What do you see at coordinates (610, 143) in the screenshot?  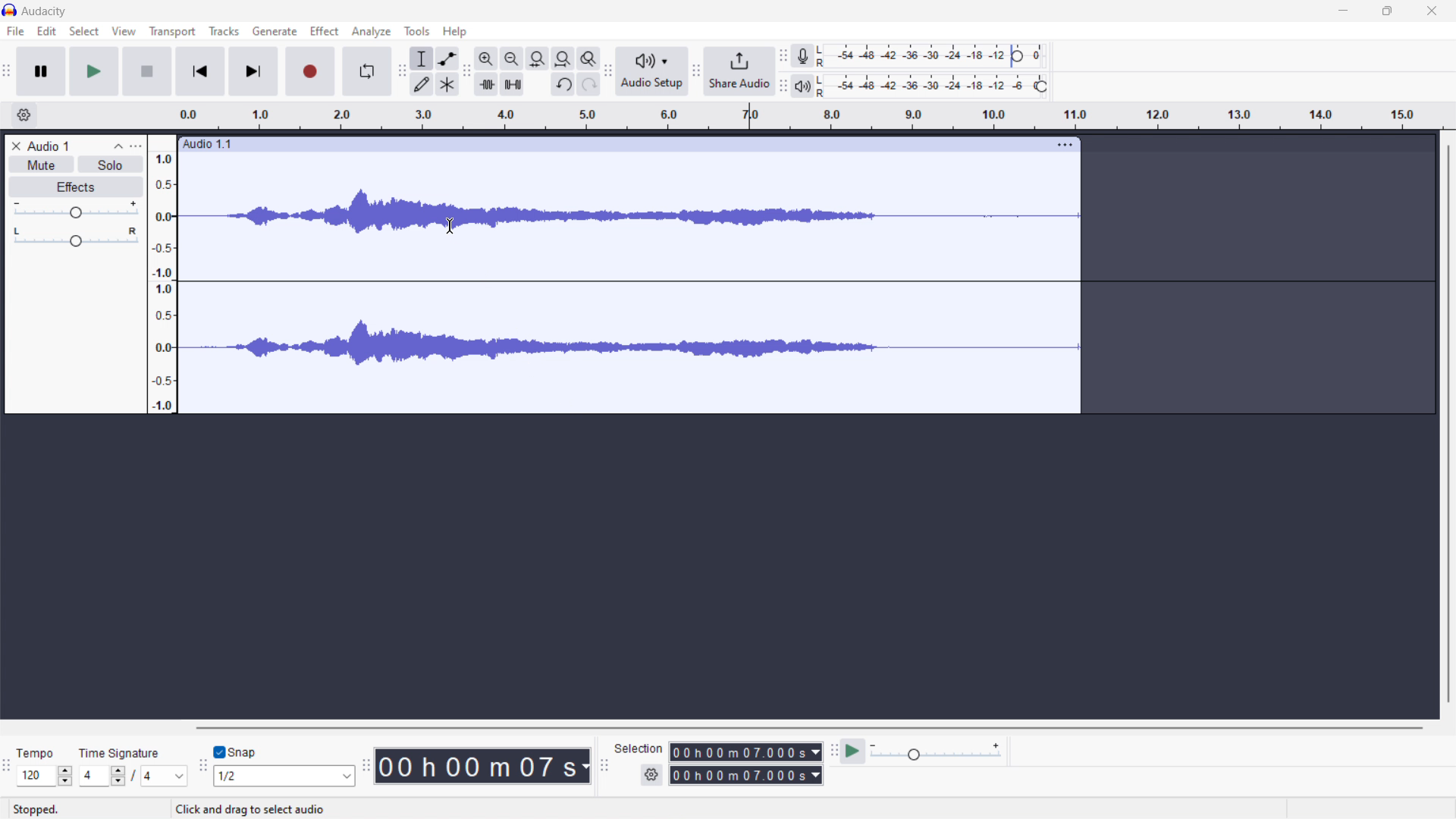 I see `Audio 1.1` at bounding box center [610, 143].